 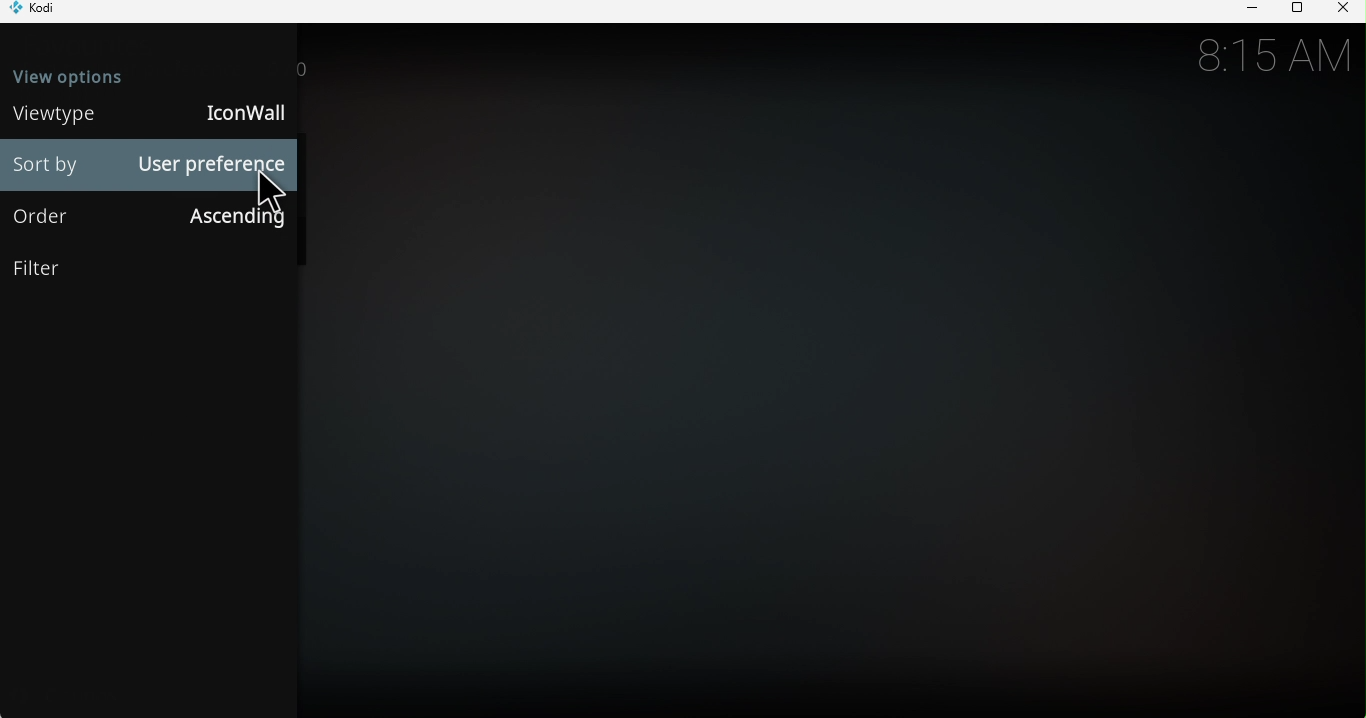 What do you see at coordinates (274, 192) in the screenshot?
I see `cursor` at bounding box center [274, 192].